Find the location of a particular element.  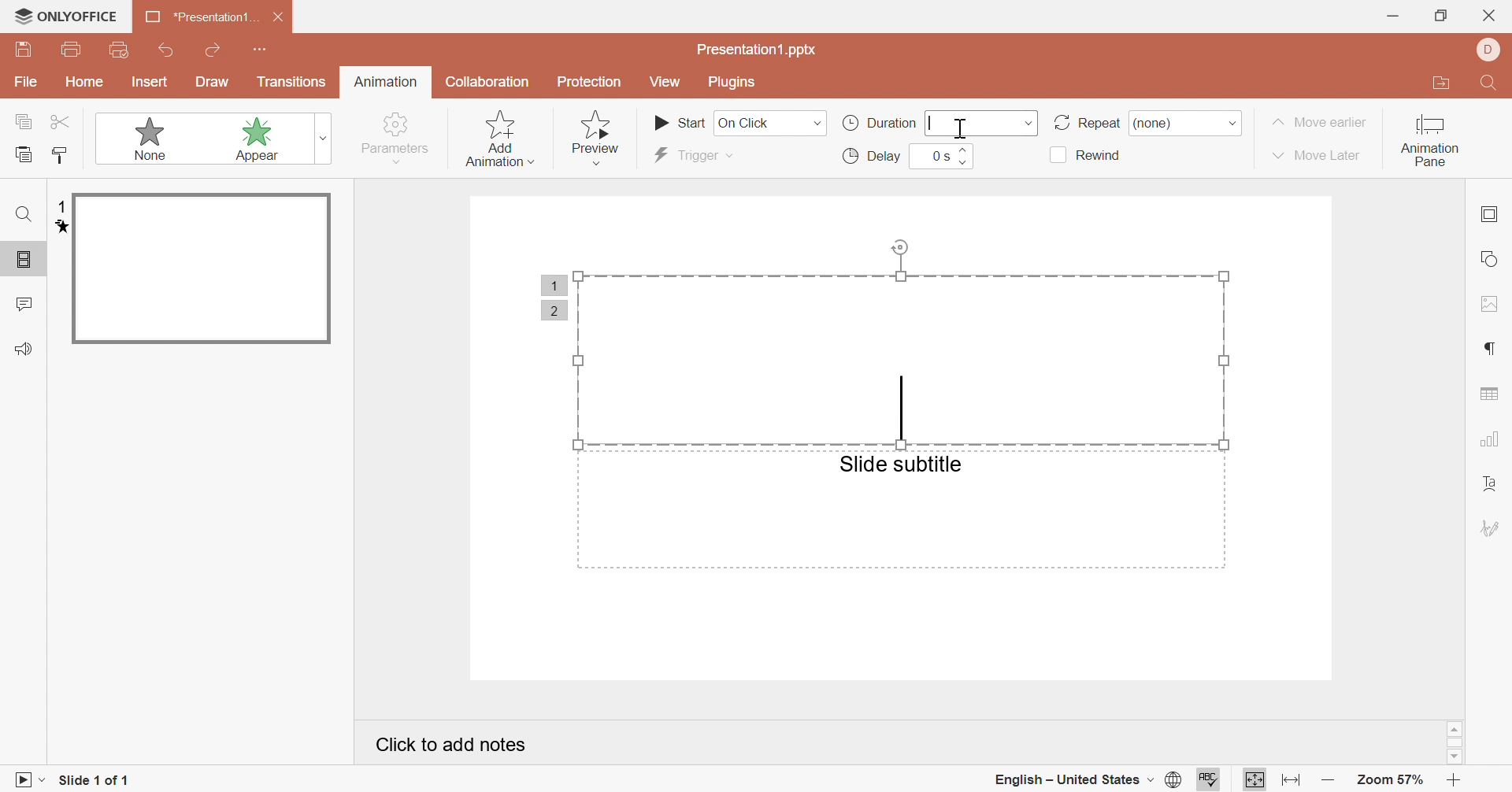

parameters is located at coordinates (397, 138).